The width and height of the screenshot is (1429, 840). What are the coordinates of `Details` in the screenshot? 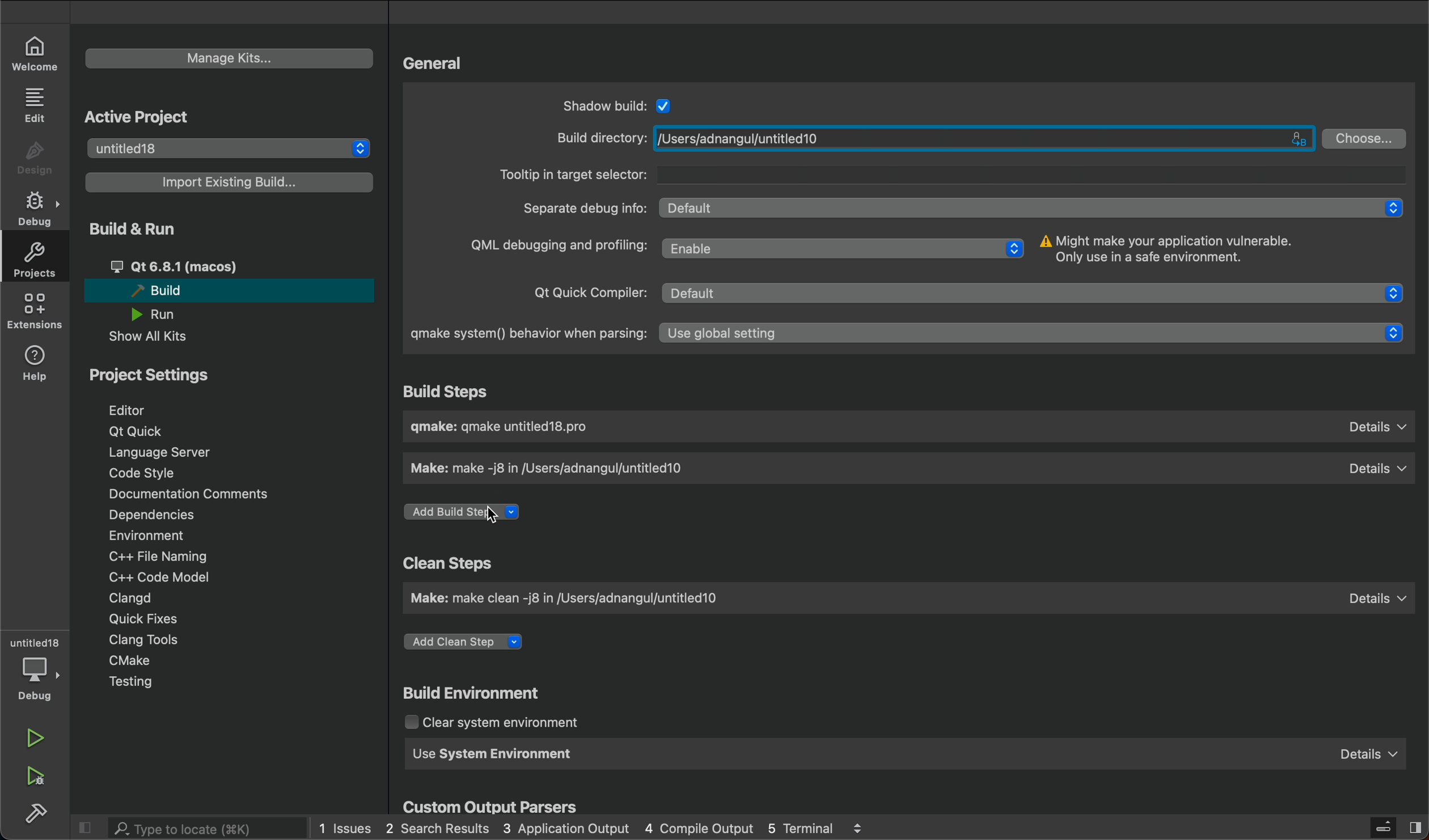 It's located at (1378, 598).